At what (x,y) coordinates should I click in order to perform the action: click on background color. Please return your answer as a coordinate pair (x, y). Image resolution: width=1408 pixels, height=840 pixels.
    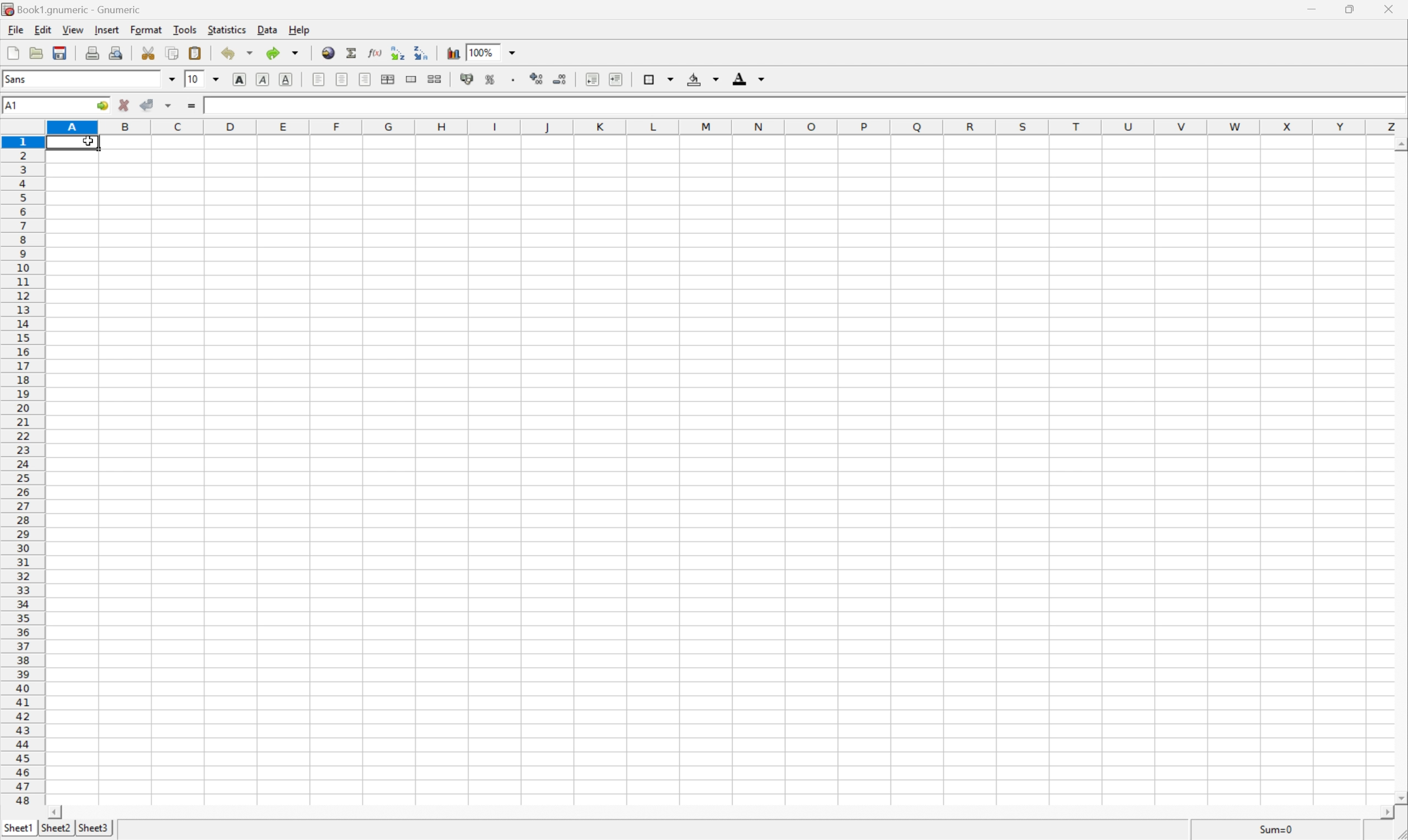
    Looking at the image, I should click on (704, 78).